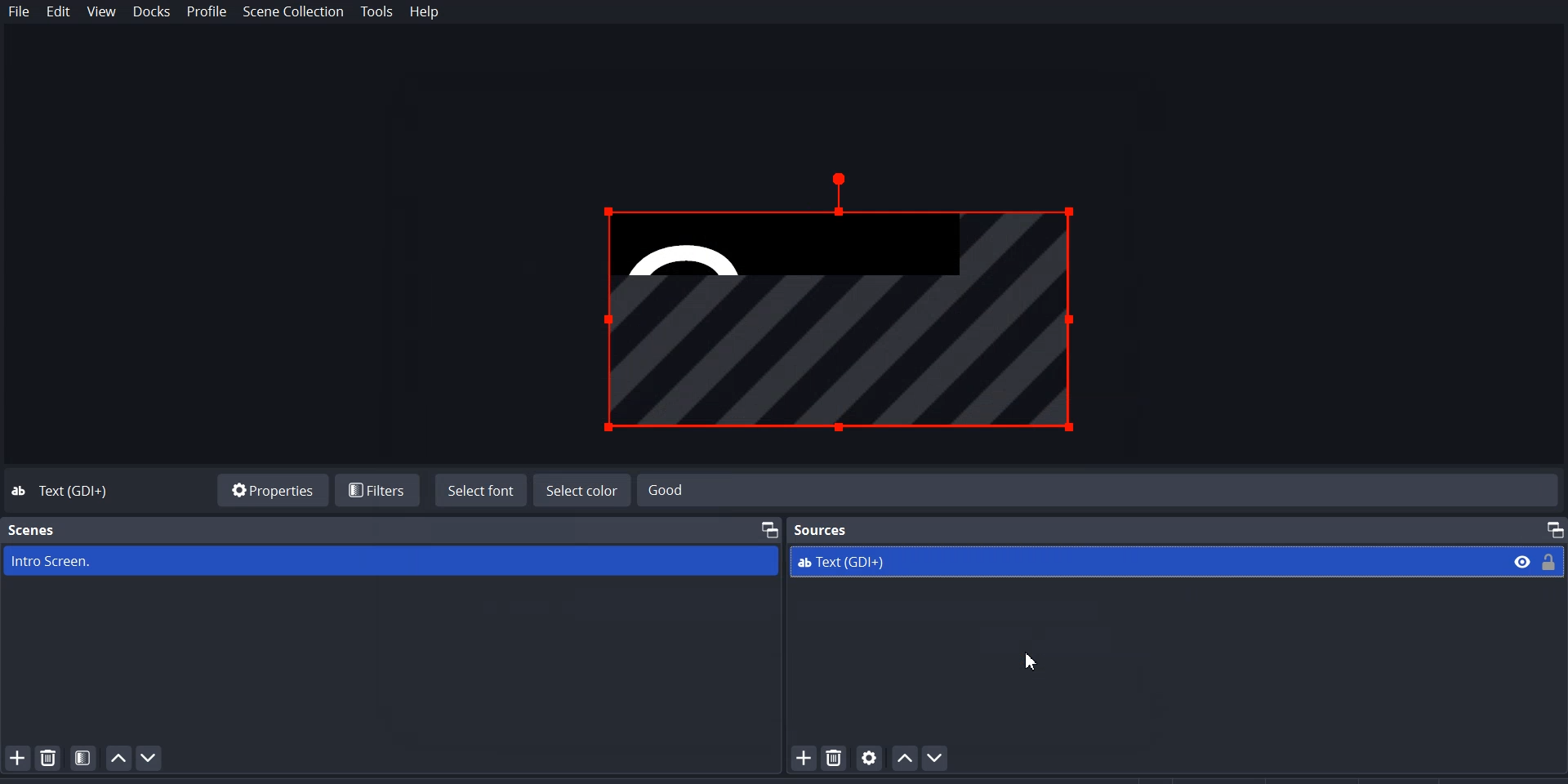 This screenshot has height=784, width=1568. Describe the element at coordinates (1552, 561) in the screenshot. I see `Lock` at that location.